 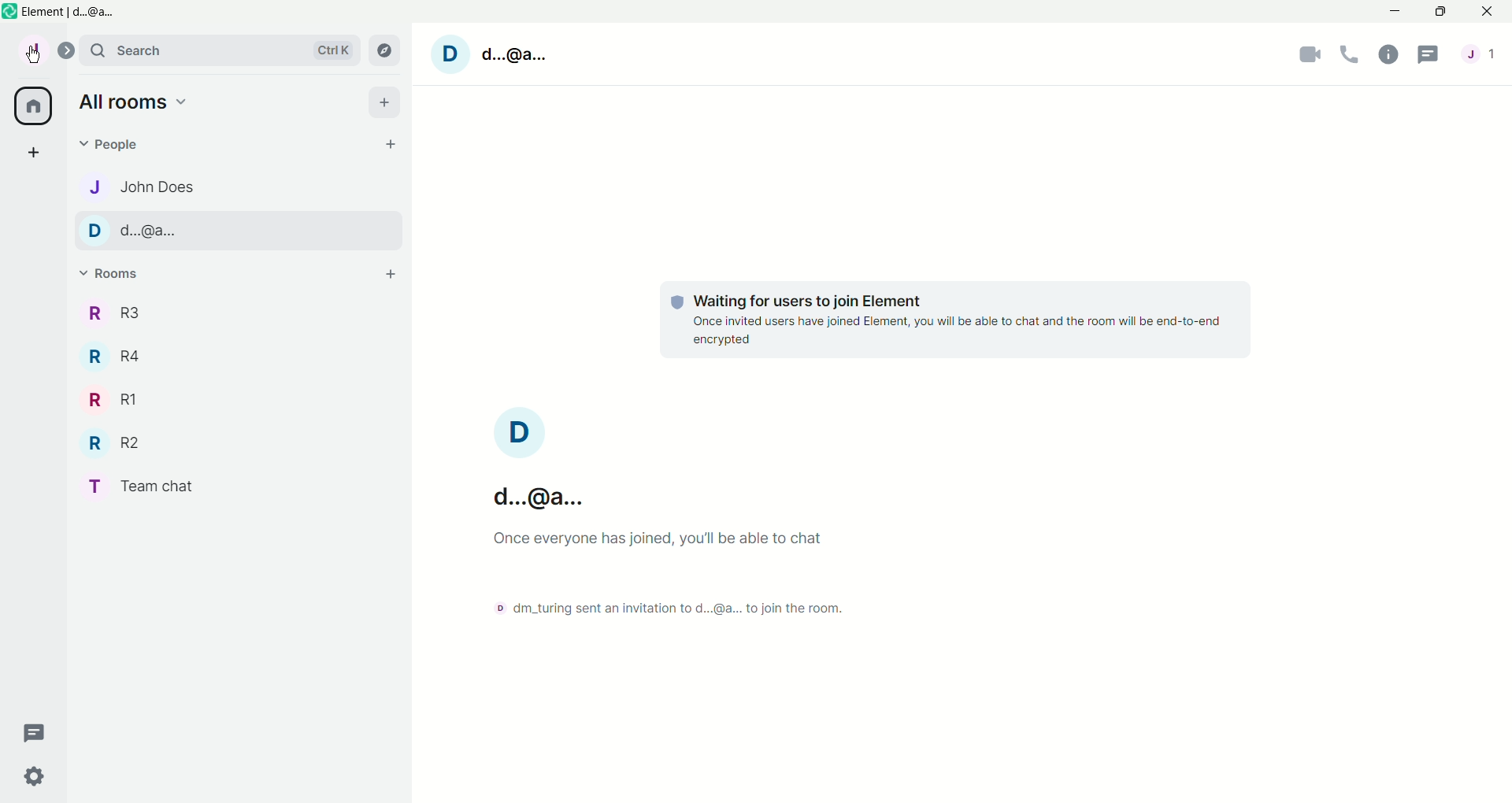 What do you see at coordinates (513, 55) in the screenshot?
I see `d...@a...` at bounding box center [513, 55].